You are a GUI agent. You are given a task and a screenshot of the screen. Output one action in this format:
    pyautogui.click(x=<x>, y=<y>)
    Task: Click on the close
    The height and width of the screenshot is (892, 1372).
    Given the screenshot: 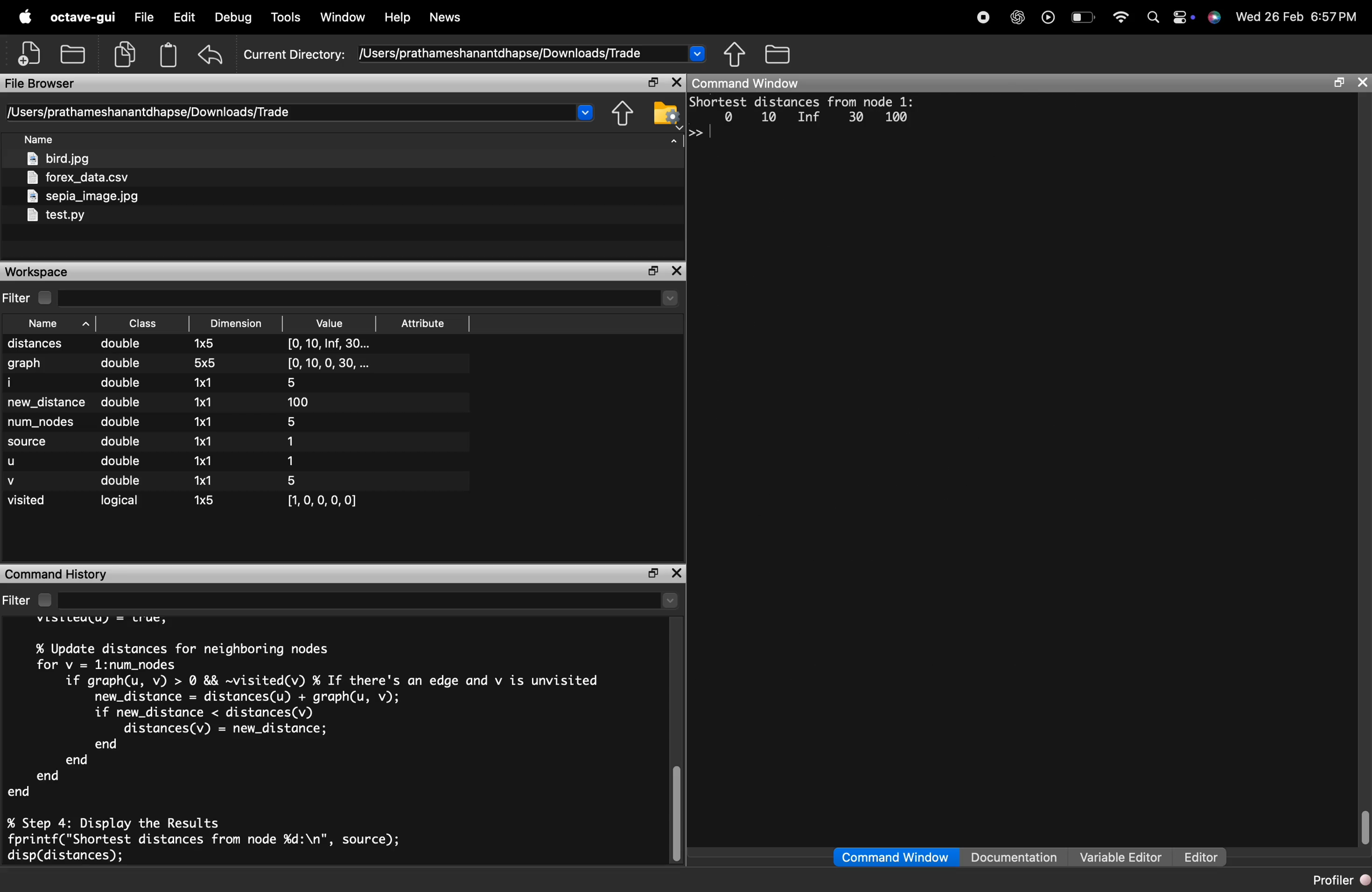 What is the action you would take?
    pyautogui.click(x=677, y=574)
    